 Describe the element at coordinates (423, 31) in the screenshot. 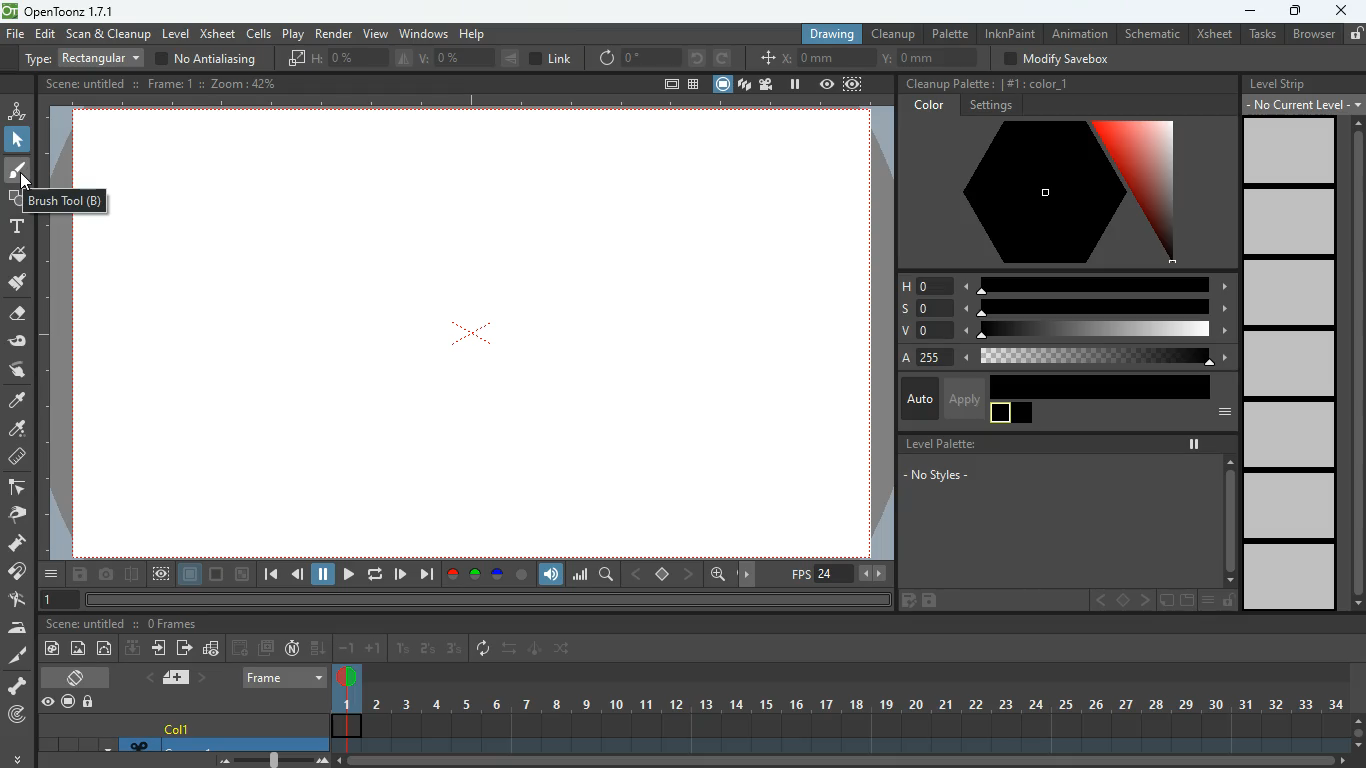

I see `windows` at that location.